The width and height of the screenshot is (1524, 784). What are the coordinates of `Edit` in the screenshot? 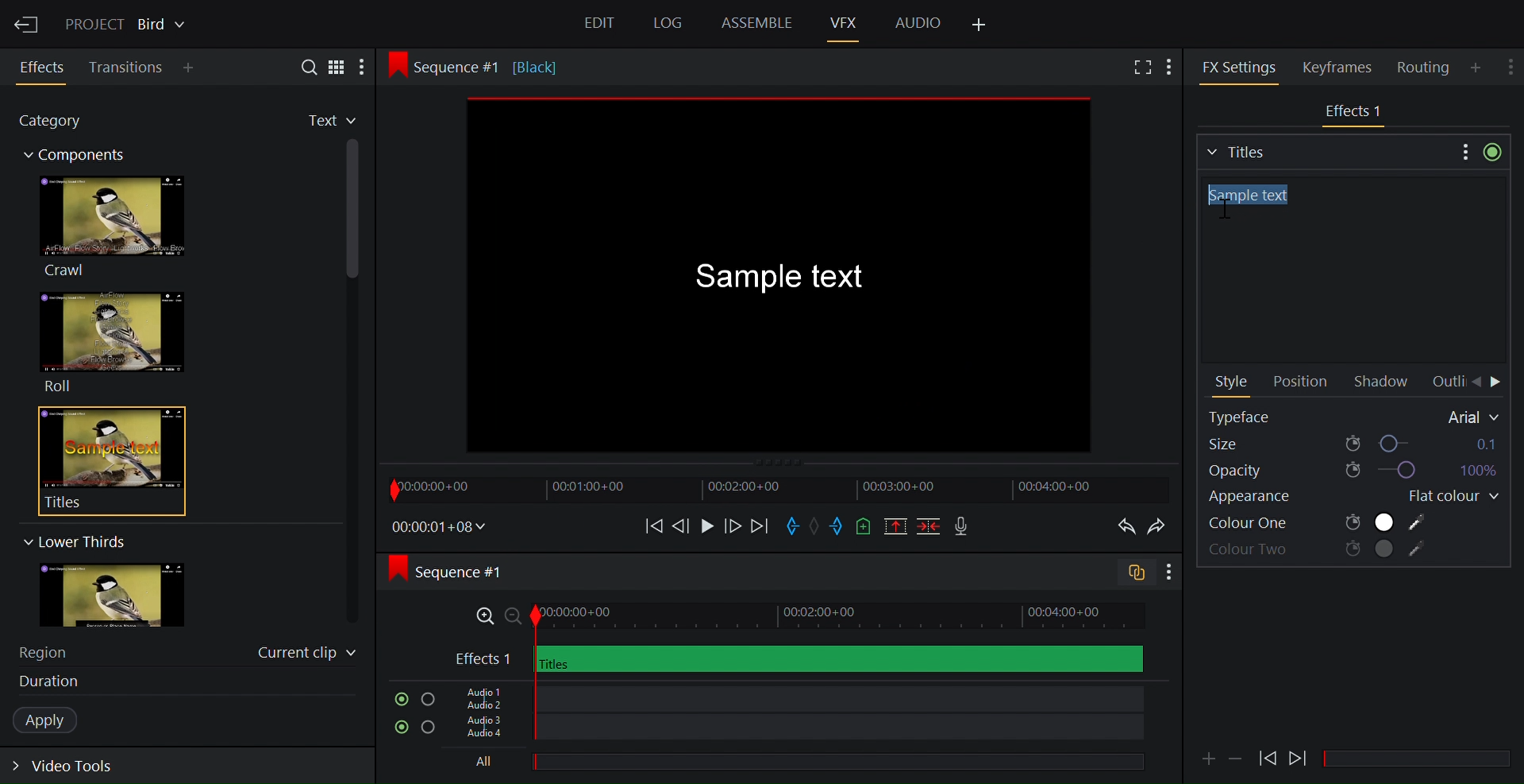 It's located at (602, 25).